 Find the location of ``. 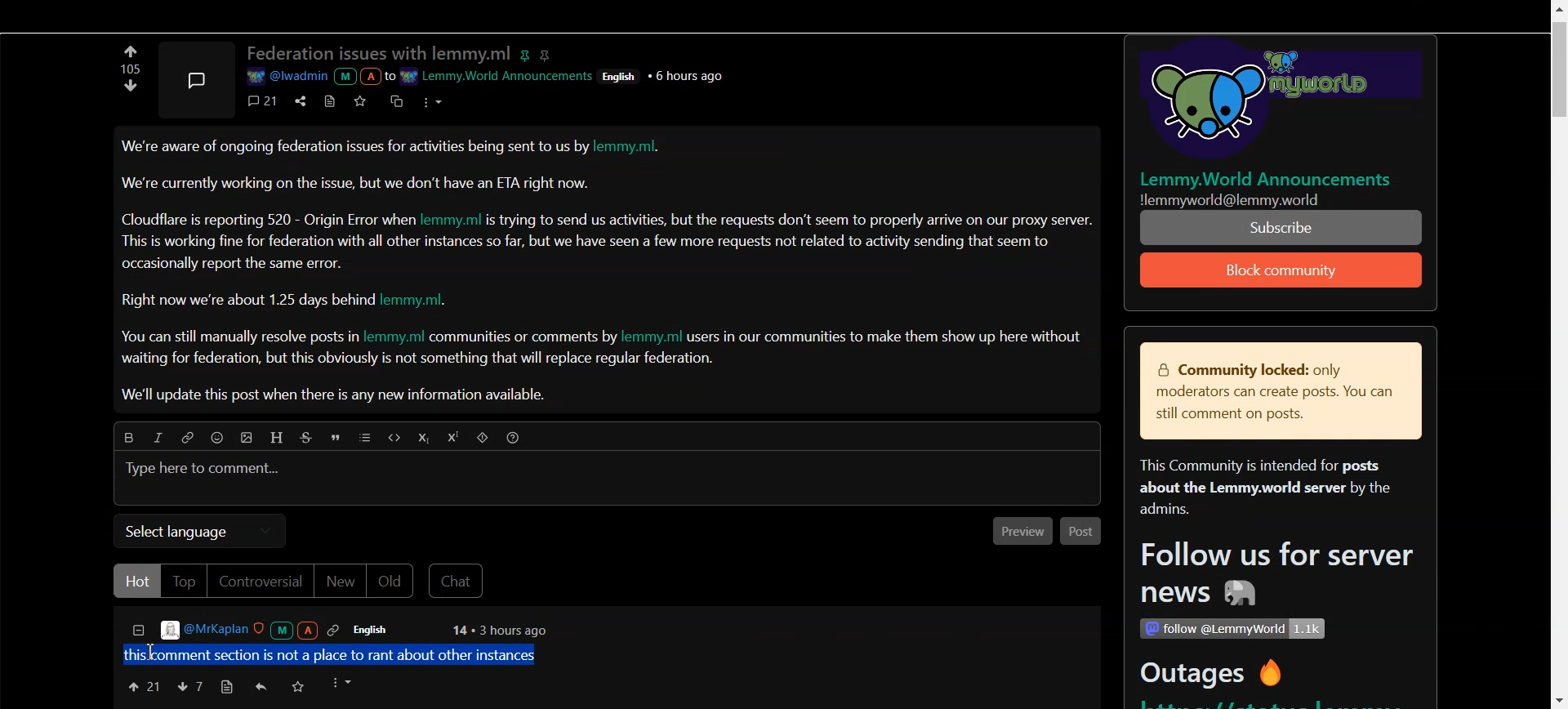

 is located at coordinates (1232, 629).